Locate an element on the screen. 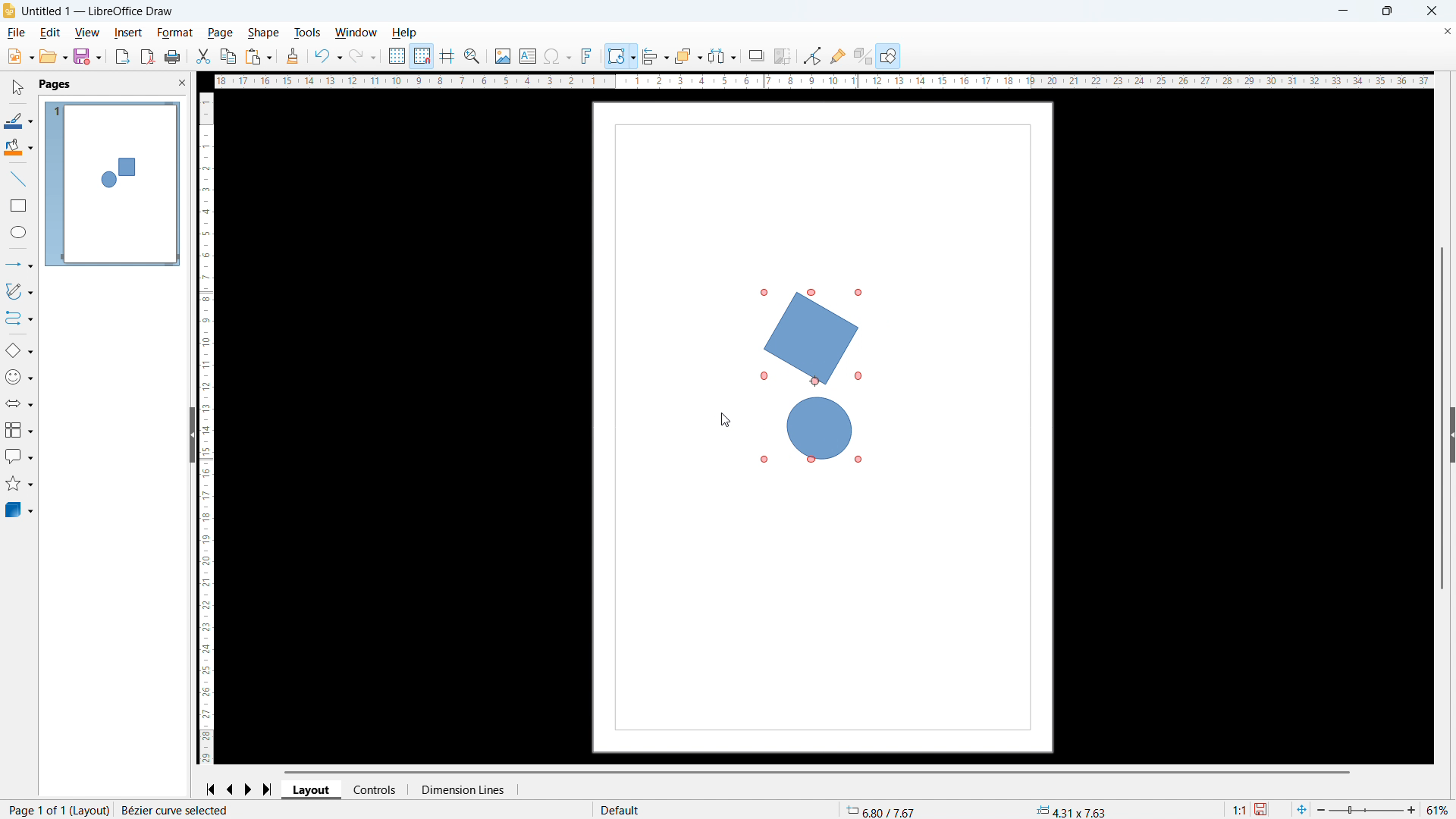 The image size is (1456, 819). Stars and banners  is located at coordinates (17, 485).